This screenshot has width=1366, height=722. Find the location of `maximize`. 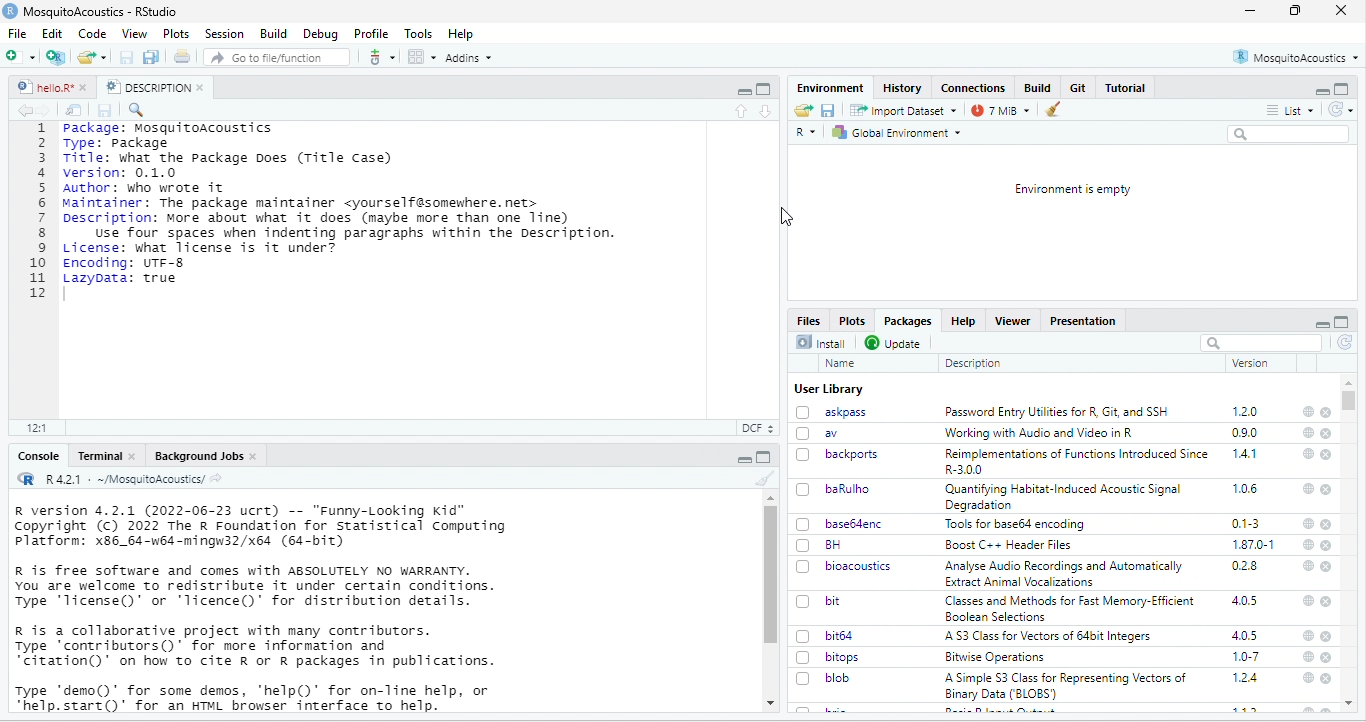

maximize is located at coordinates (743, 89).